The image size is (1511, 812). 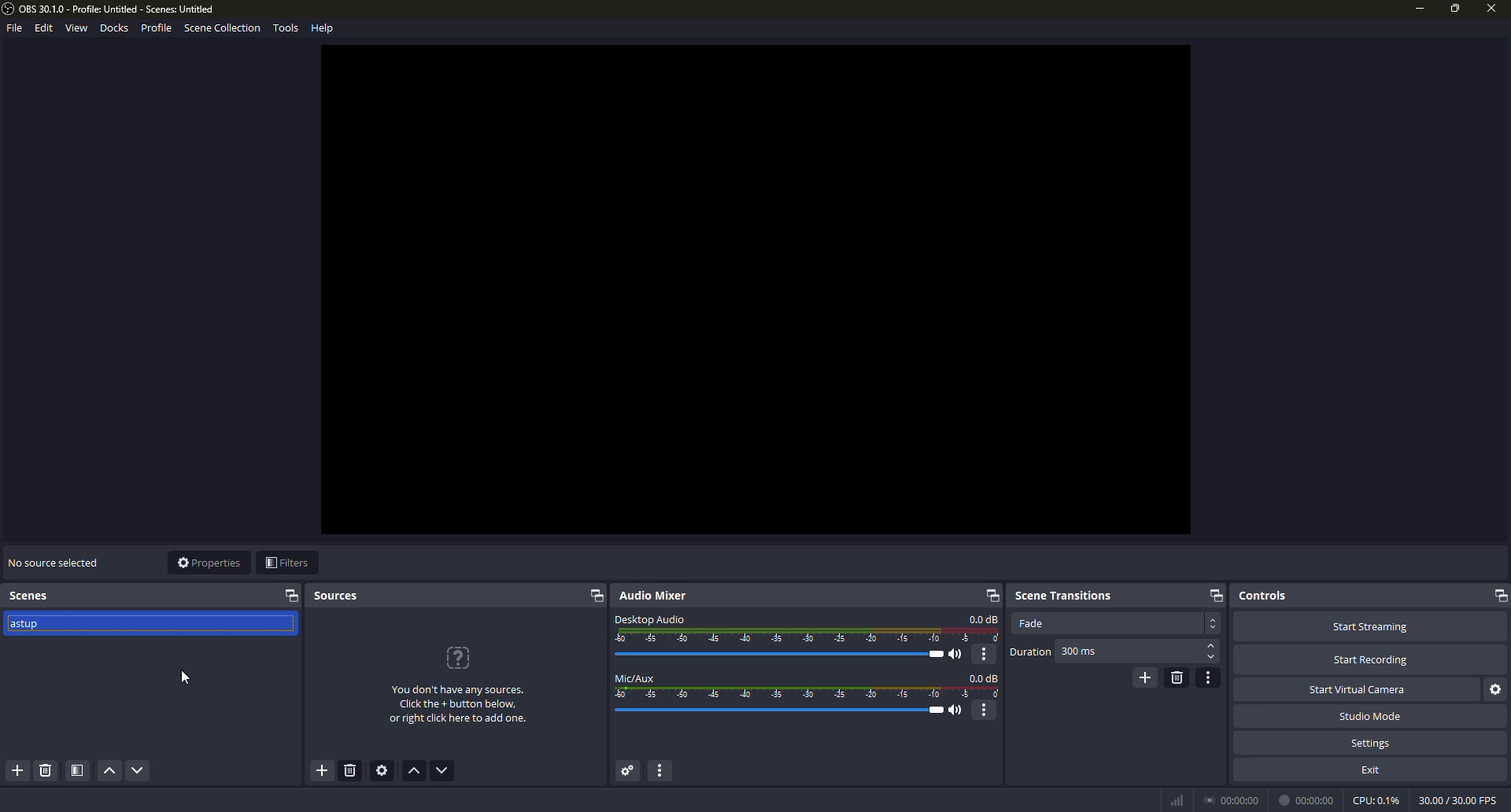 I want to click on options, so click(x=985, y=654).